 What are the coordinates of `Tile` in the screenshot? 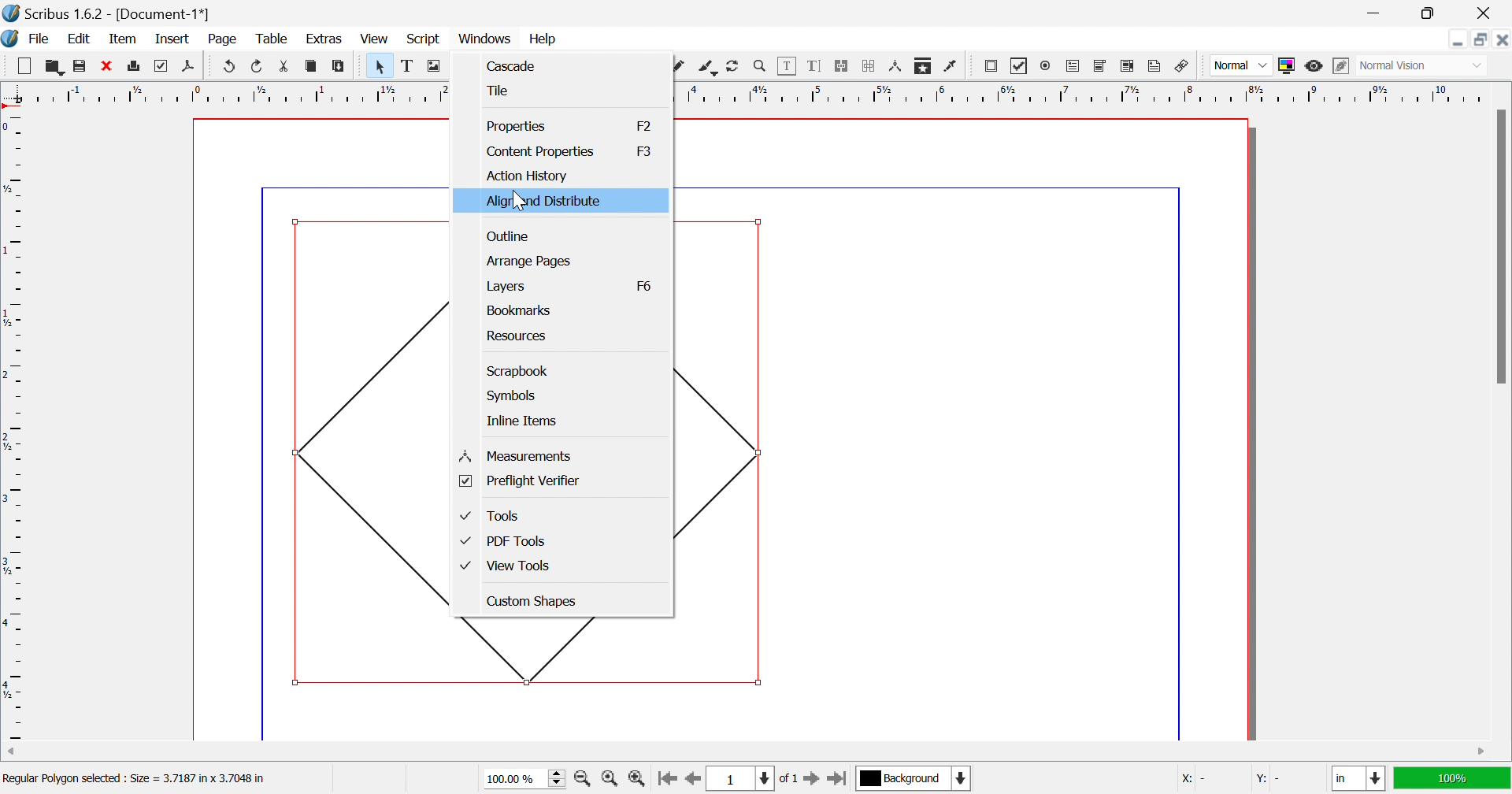 It's located at (499, 91).